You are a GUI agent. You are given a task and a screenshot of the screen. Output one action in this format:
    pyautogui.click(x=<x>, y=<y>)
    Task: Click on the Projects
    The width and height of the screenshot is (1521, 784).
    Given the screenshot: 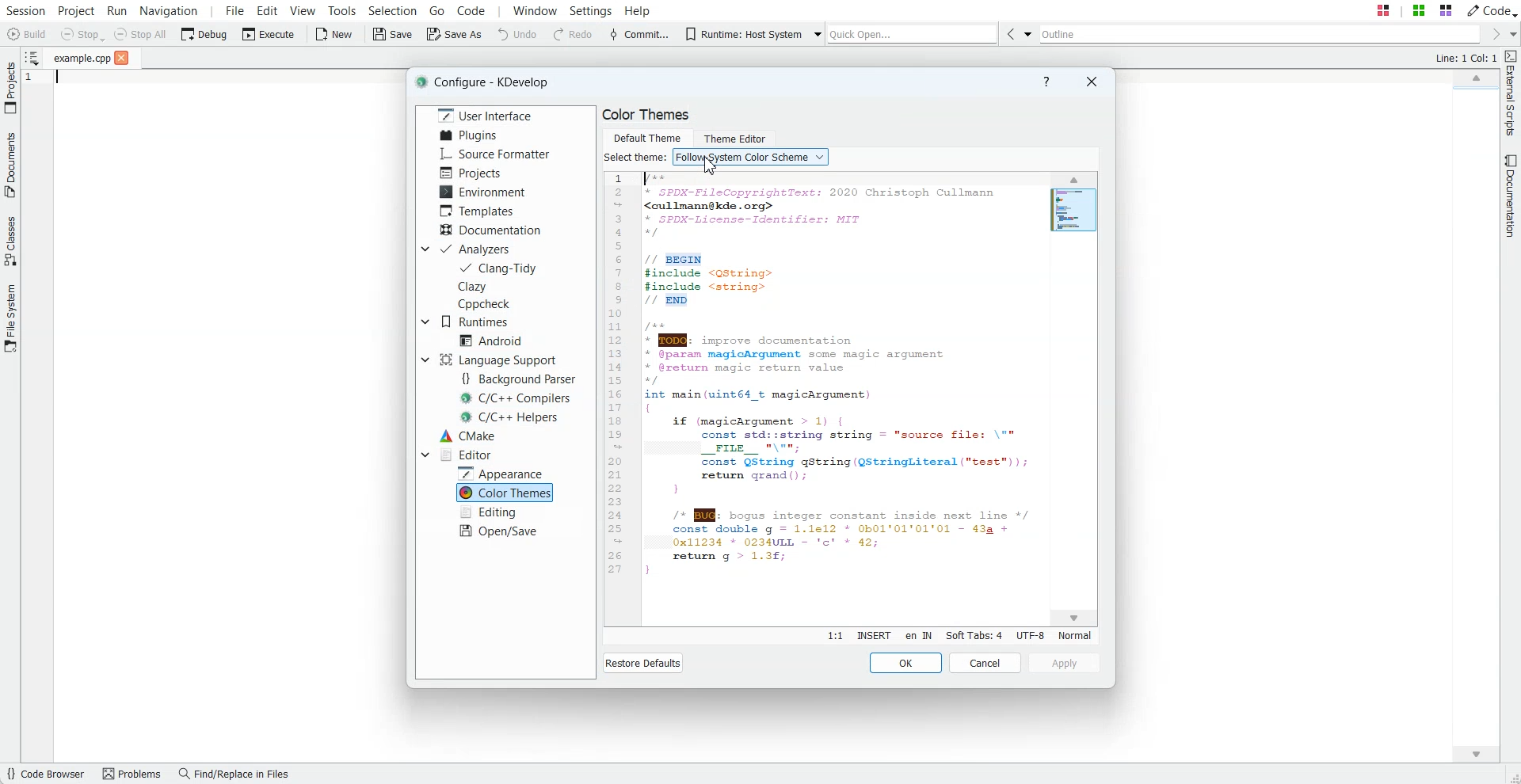 What is the action you would take?
    pyautogui.click(x=471, y=173)
    